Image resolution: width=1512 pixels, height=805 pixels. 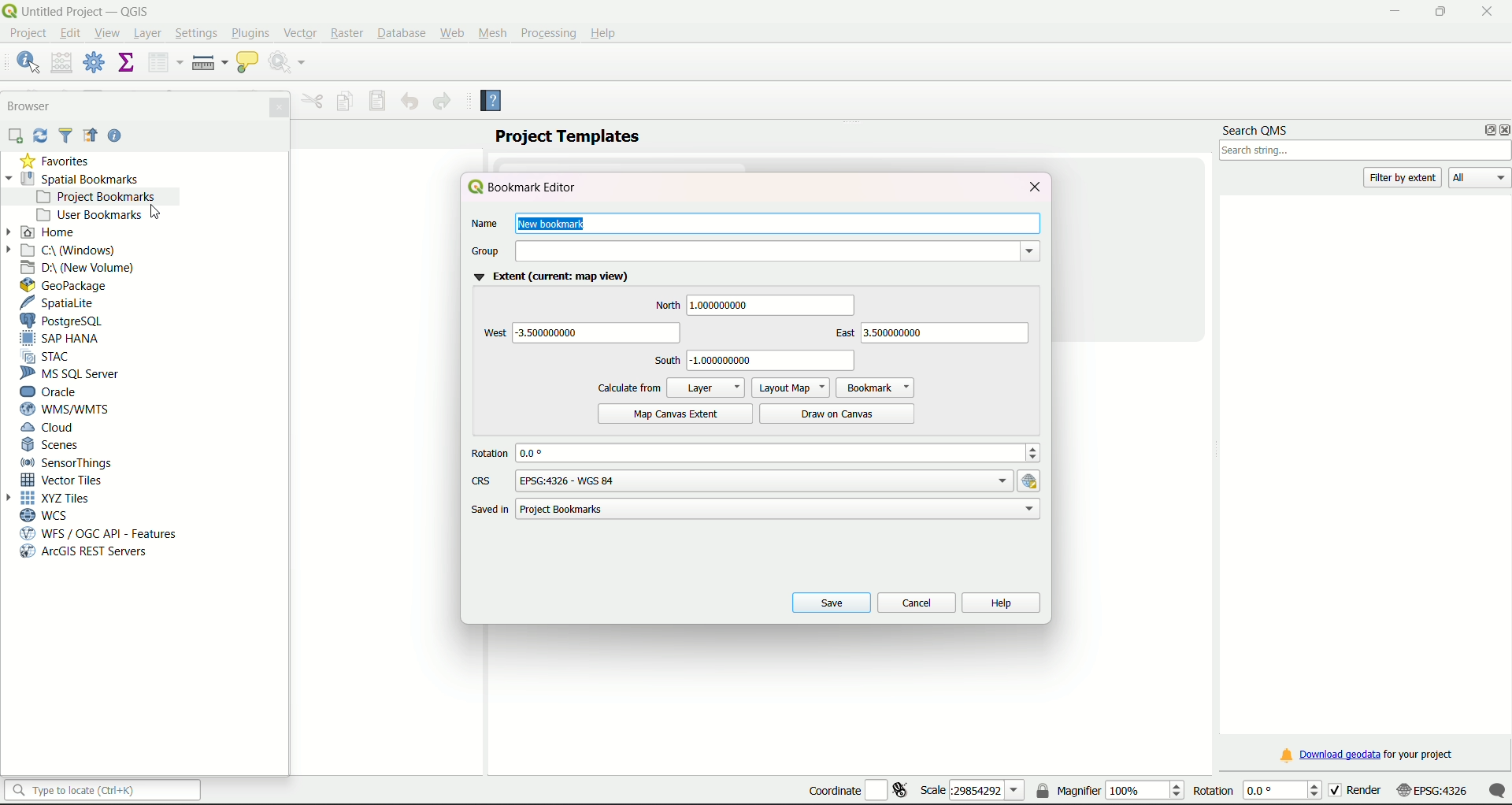 What do you see at coordinates (603, 33) in the screenshot?
I see `Help` at bounding box center [603, 33].